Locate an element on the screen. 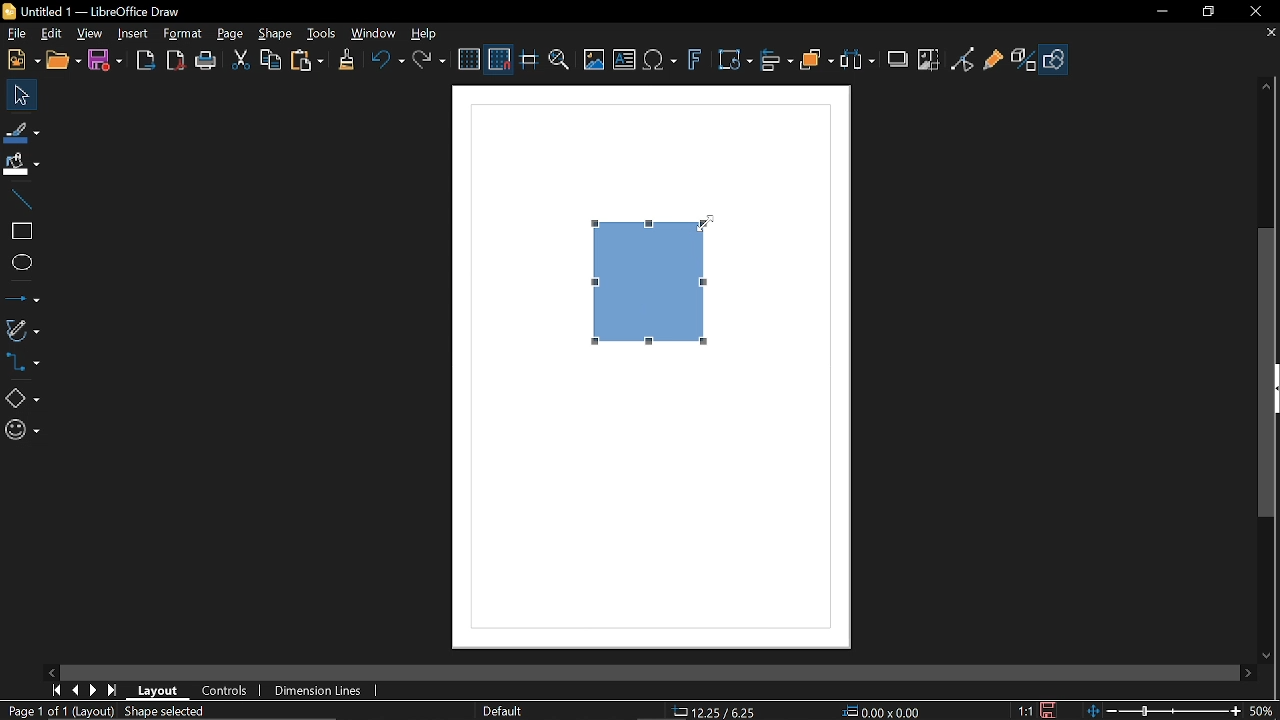 This screenshot has width=1280, height=720. Zoom control is located at coordinates (1160, 711).